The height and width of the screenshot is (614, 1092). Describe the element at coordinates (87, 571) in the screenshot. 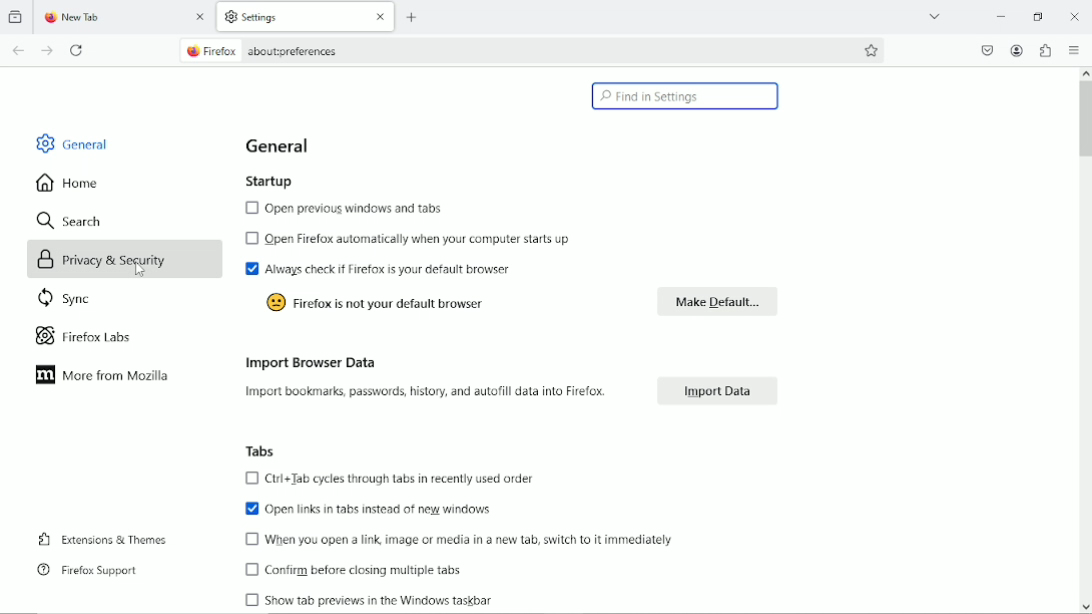

I see `firefox support` at that location.